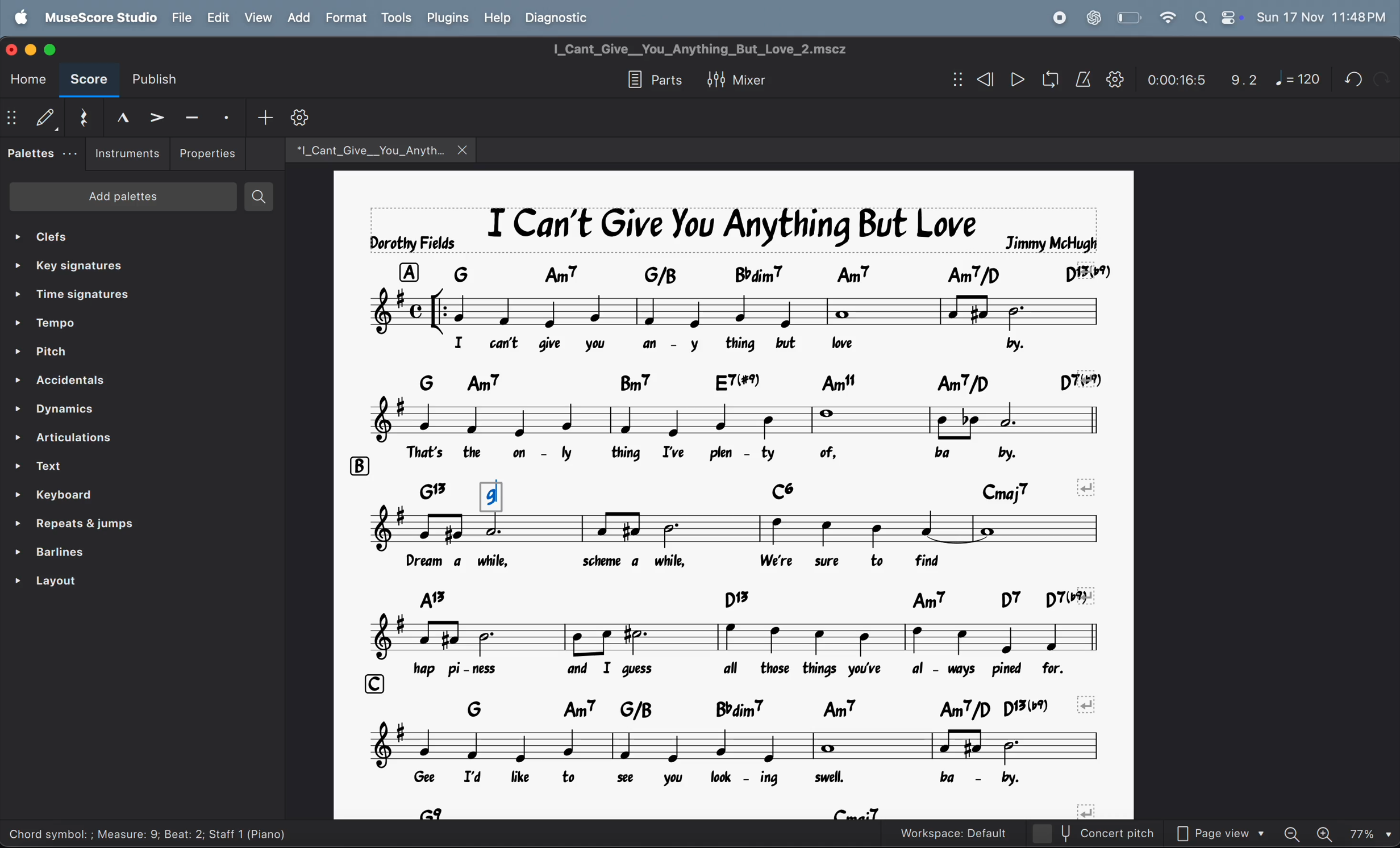 The width and height of the screenshot is (1400, 848). What do you see at coordinates (714, 453) in the screenshot?
I see `lyrics` at bounding box center [714, 453].